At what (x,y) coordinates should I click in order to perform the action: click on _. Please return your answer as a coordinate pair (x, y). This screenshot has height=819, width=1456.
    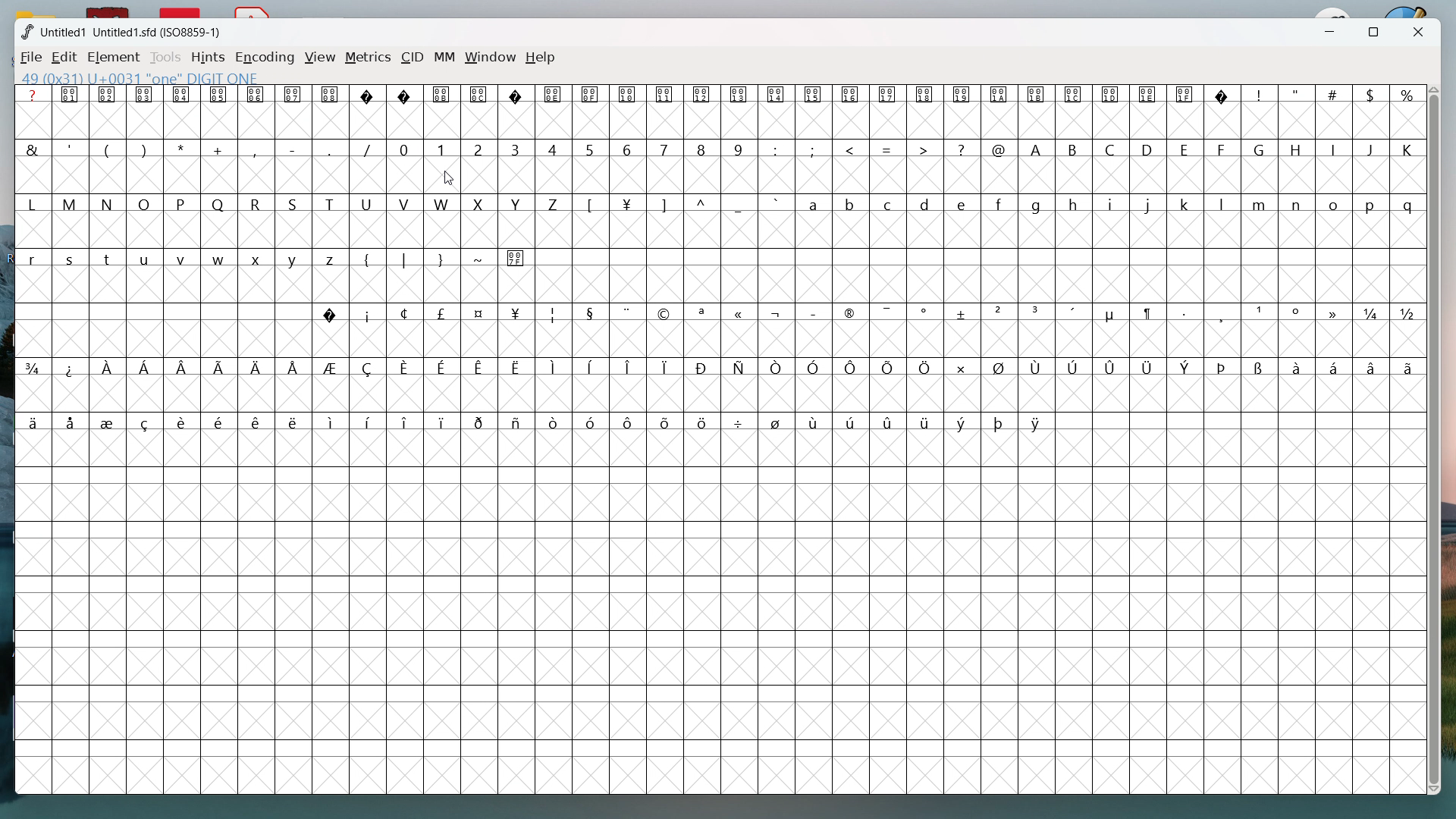
    Looking at the image, I should click on (334, 149).